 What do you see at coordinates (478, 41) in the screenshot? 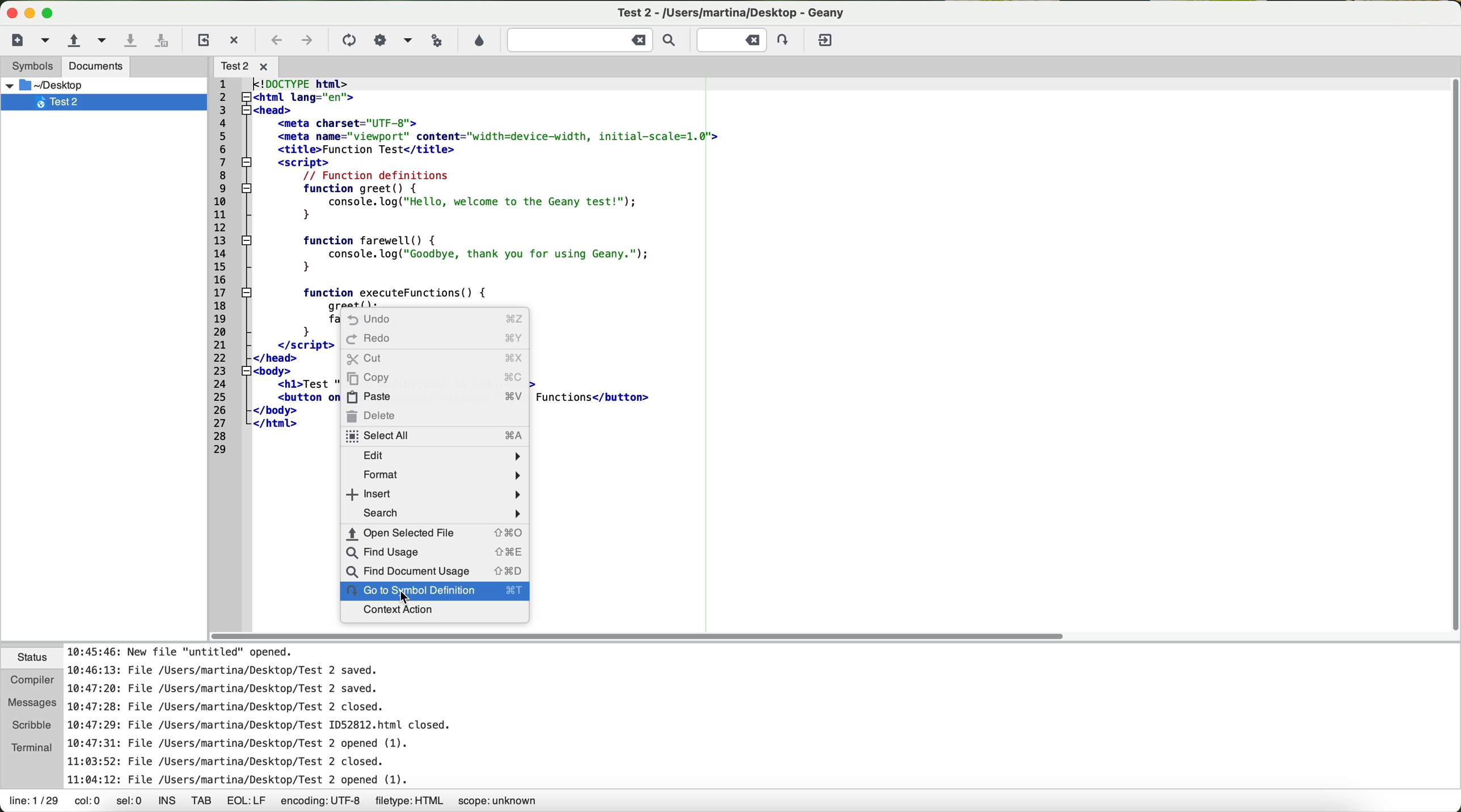
I see `choose color` at bounding box center [478, 41].